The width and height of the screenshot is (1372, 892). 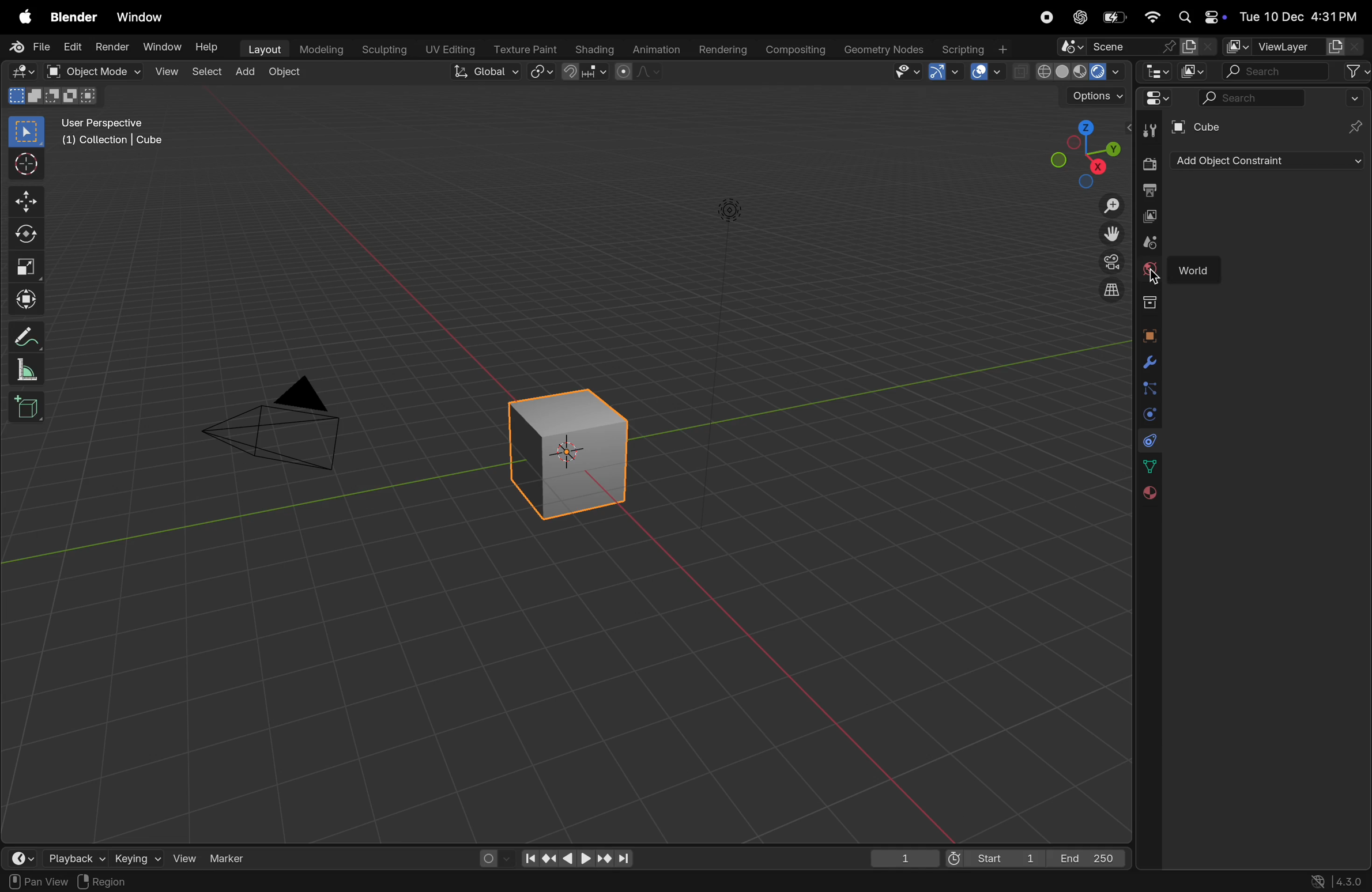 What do you see at coordinates (1342, 881) in the screenshot?
I see `version` at bounding box center [1342, 881].